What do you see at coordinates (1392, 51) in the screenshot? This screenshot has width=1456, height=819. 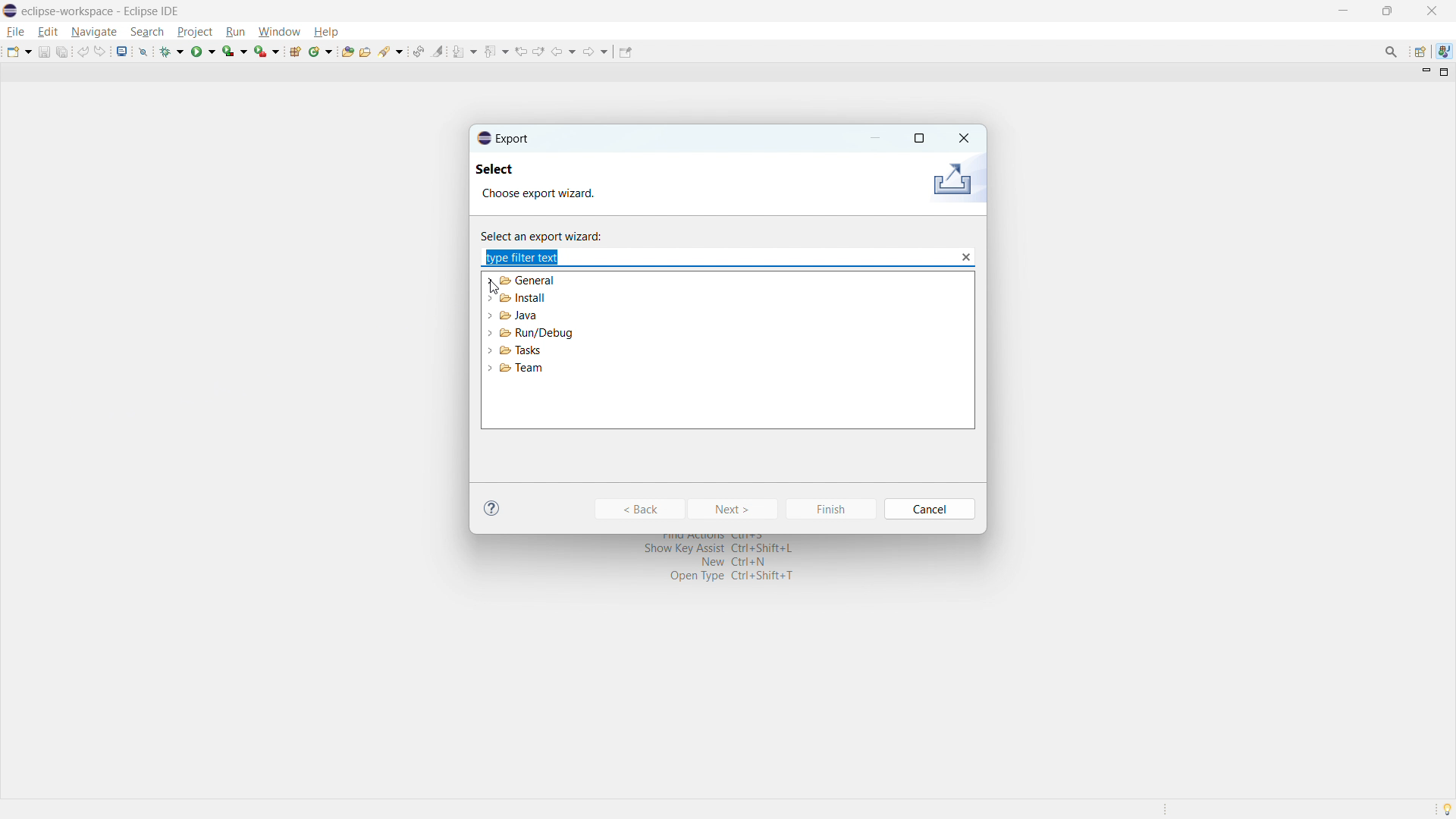 I see `access commands and other items` at bounding box center [1392, 51].